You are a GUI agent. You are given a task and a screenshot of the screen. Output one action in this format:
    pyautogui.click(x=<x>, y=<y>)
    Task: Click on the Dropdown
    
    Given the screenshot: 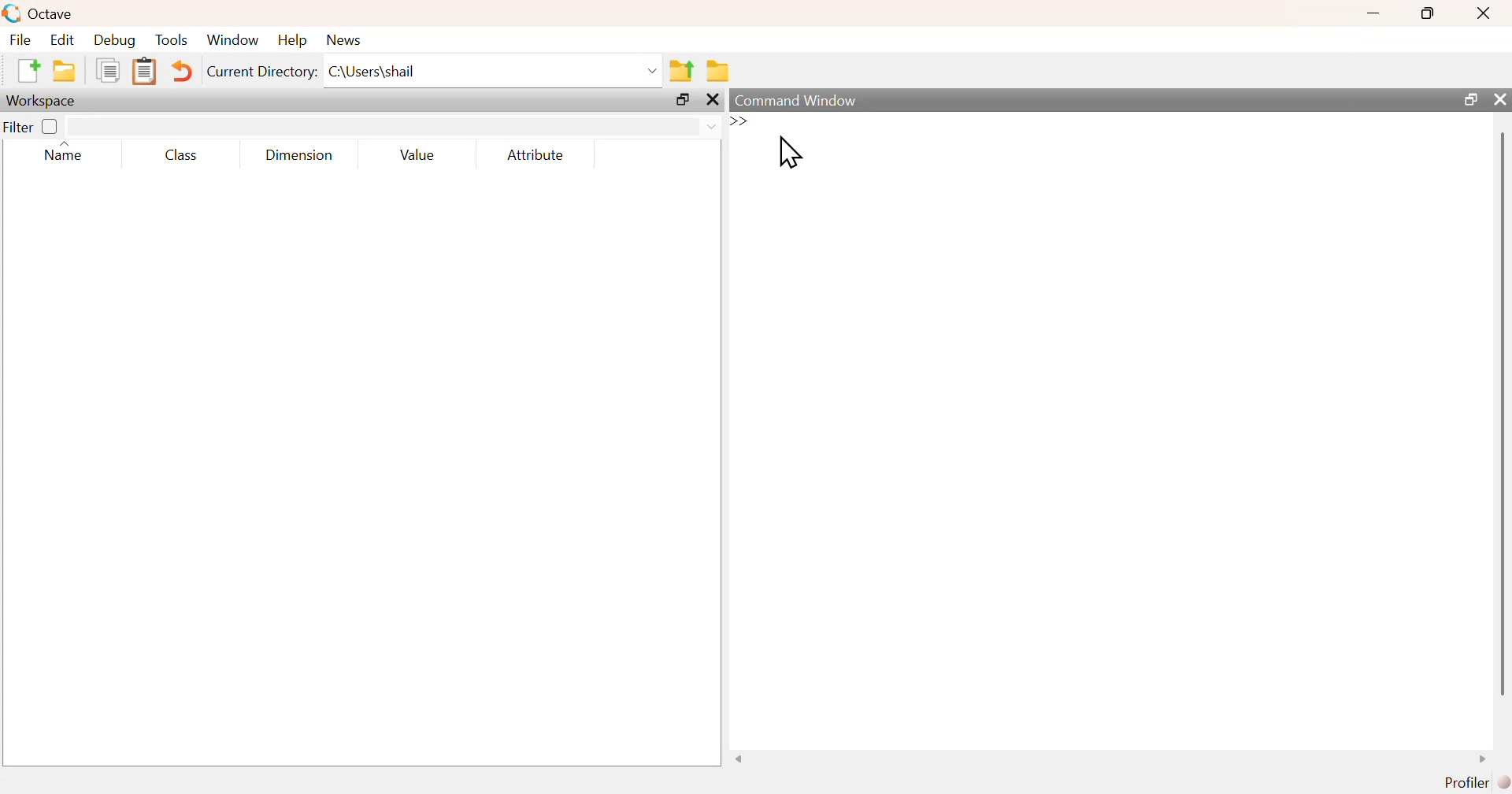 What is the action you would take?
    pyautogui.click(x=654, y=72)
    